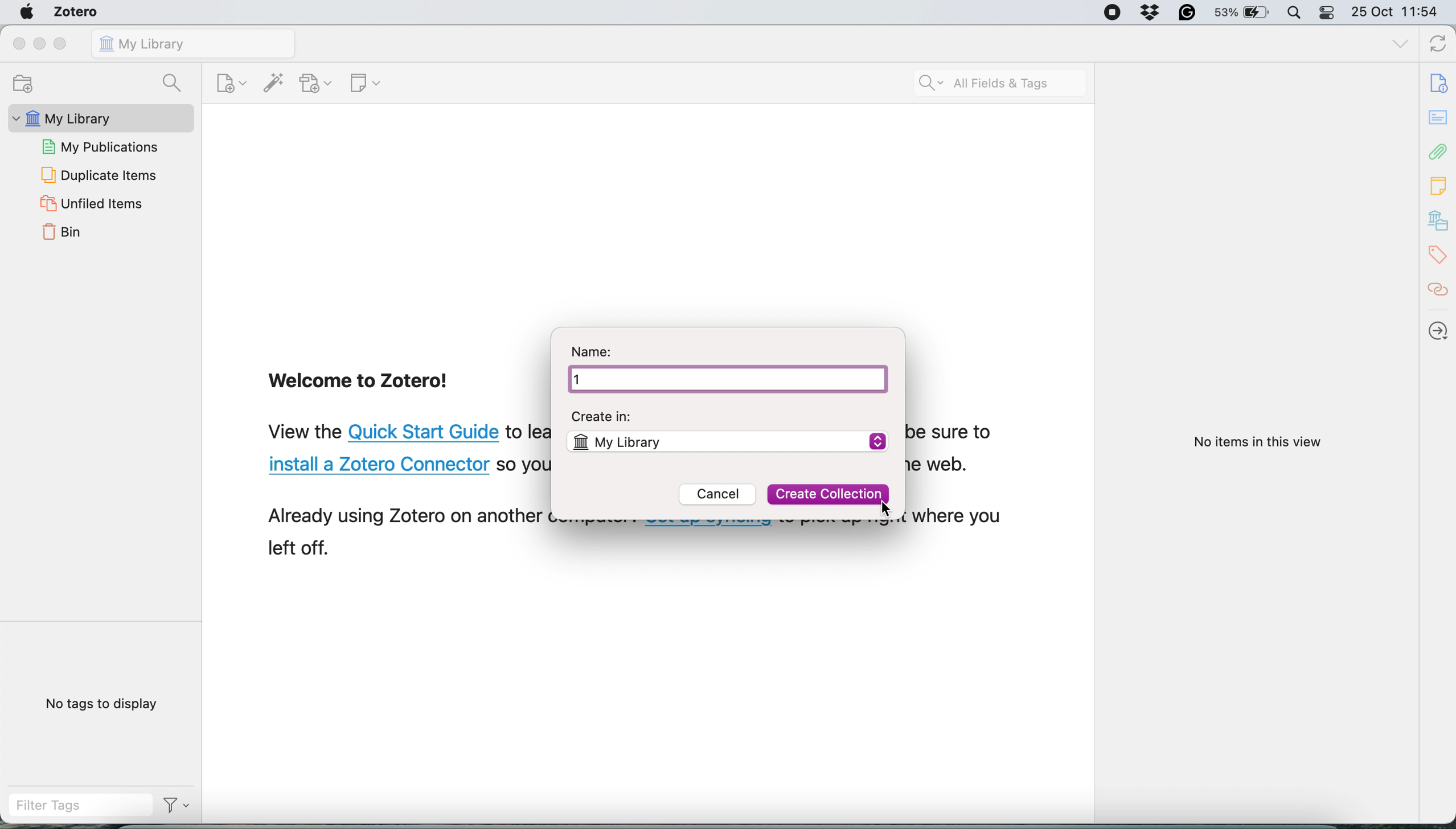 The width and height of the screenshot is (1456, 829). I want to click on search, so click(175, 82).